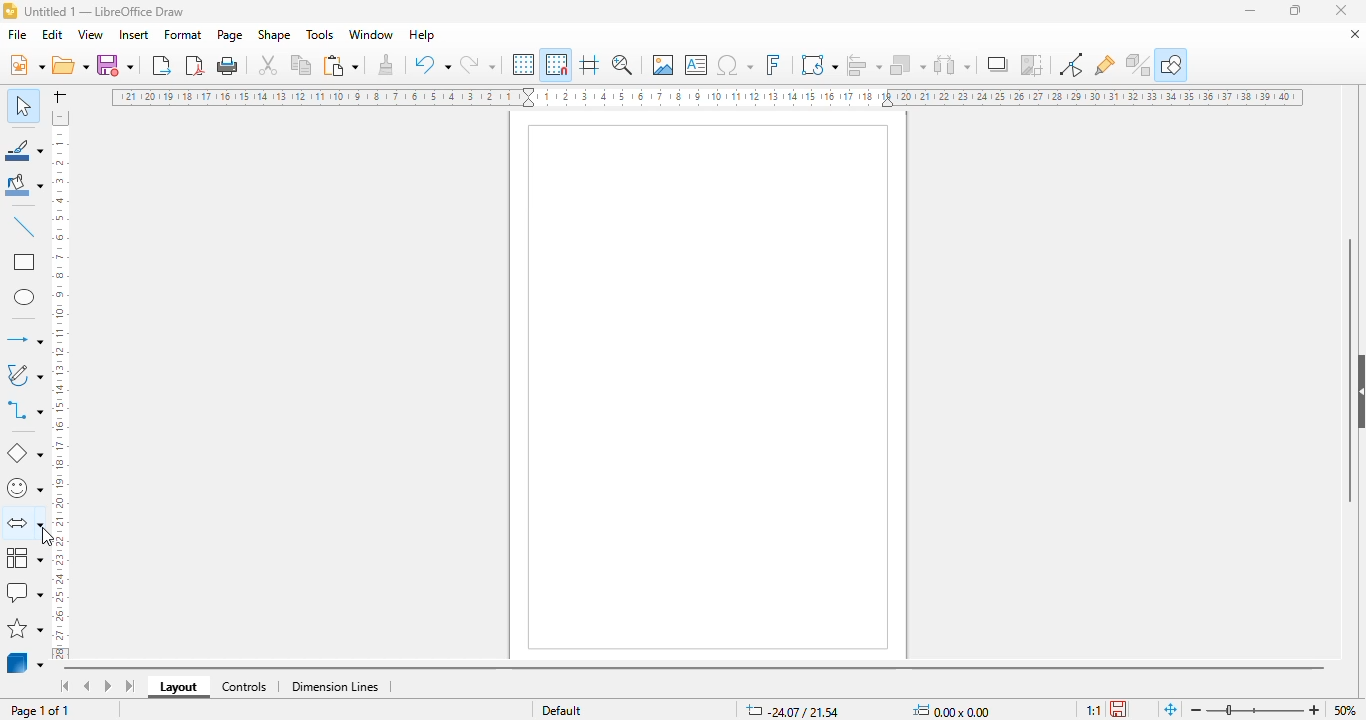  I want to click on layout, so click(178, 687).